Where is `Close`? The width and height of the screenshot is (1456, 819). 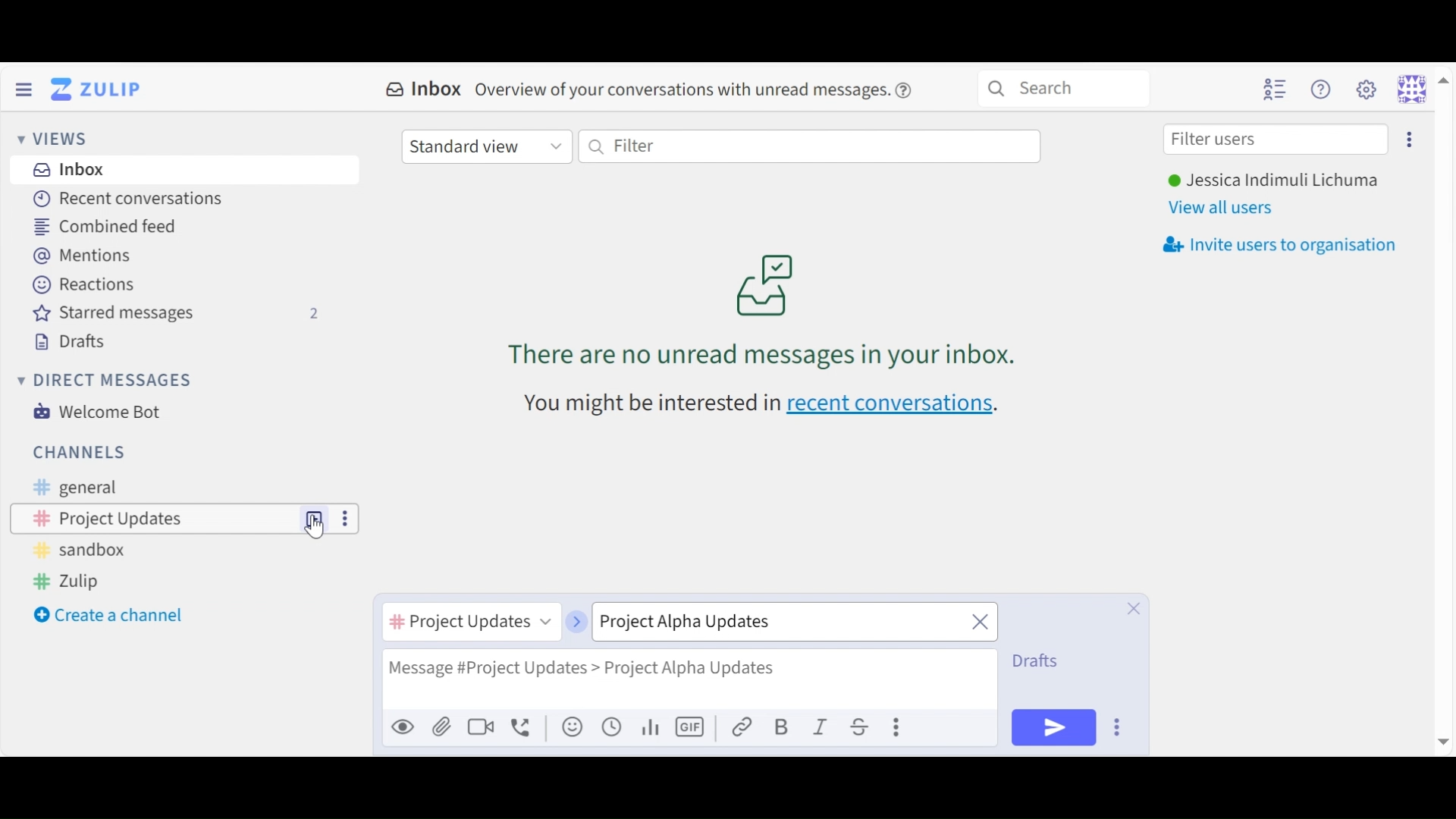
Close is located at coordinates (1134, 608).